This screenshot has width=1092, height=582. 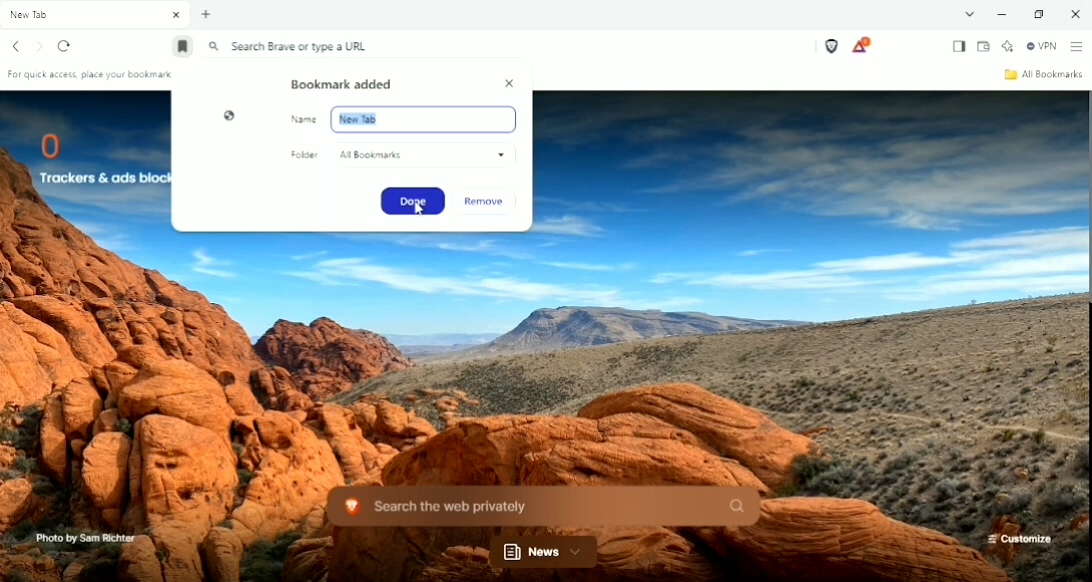 What do you see at coordinates (181, 49) in the screenshot?
I see `Bookmark this tab` at bounding box center [181, 49].